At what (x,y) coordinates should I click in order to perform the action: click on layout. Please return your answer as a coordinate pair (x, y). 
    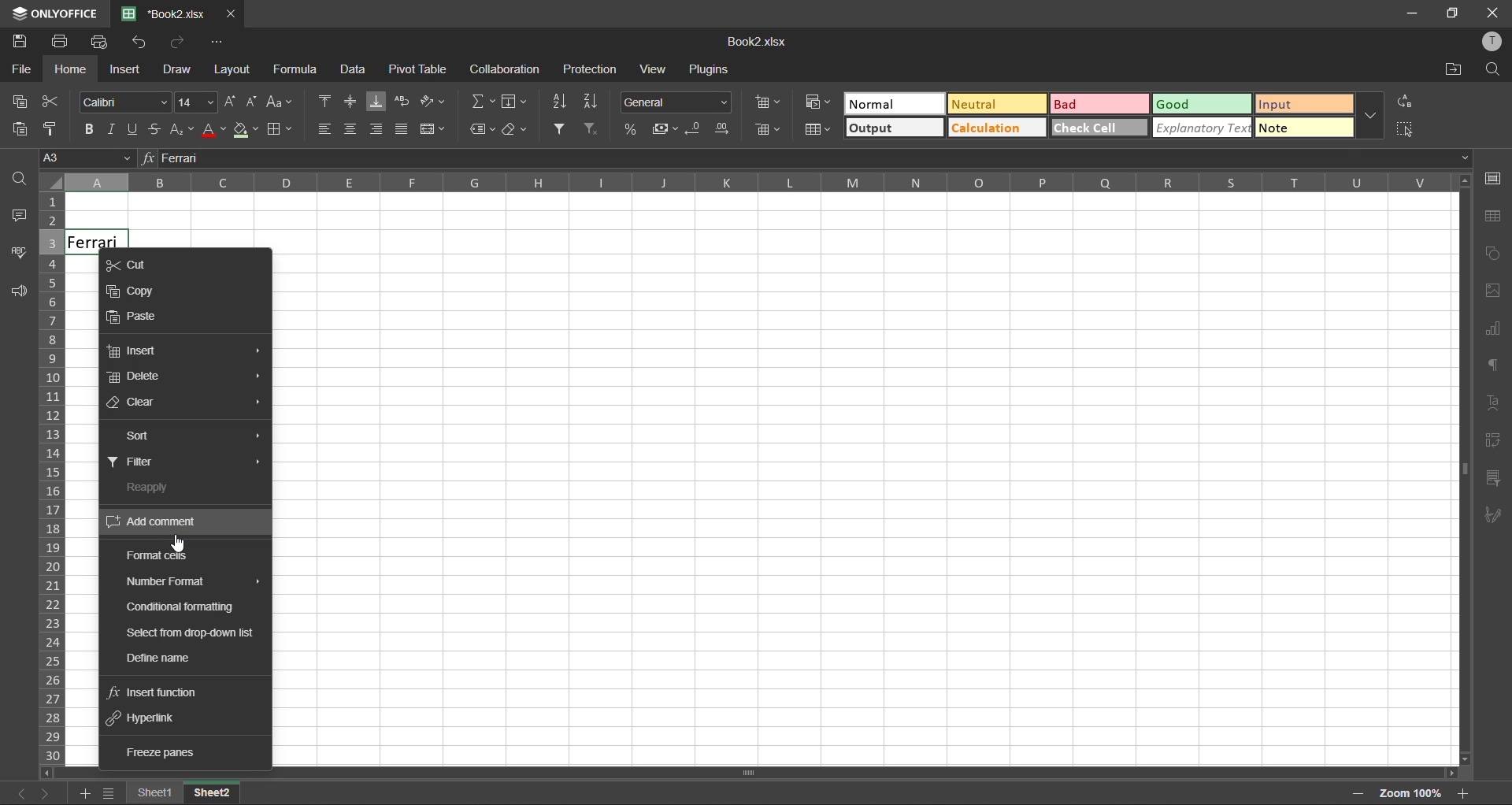
    Looking at the image, I should click on (232, 69).